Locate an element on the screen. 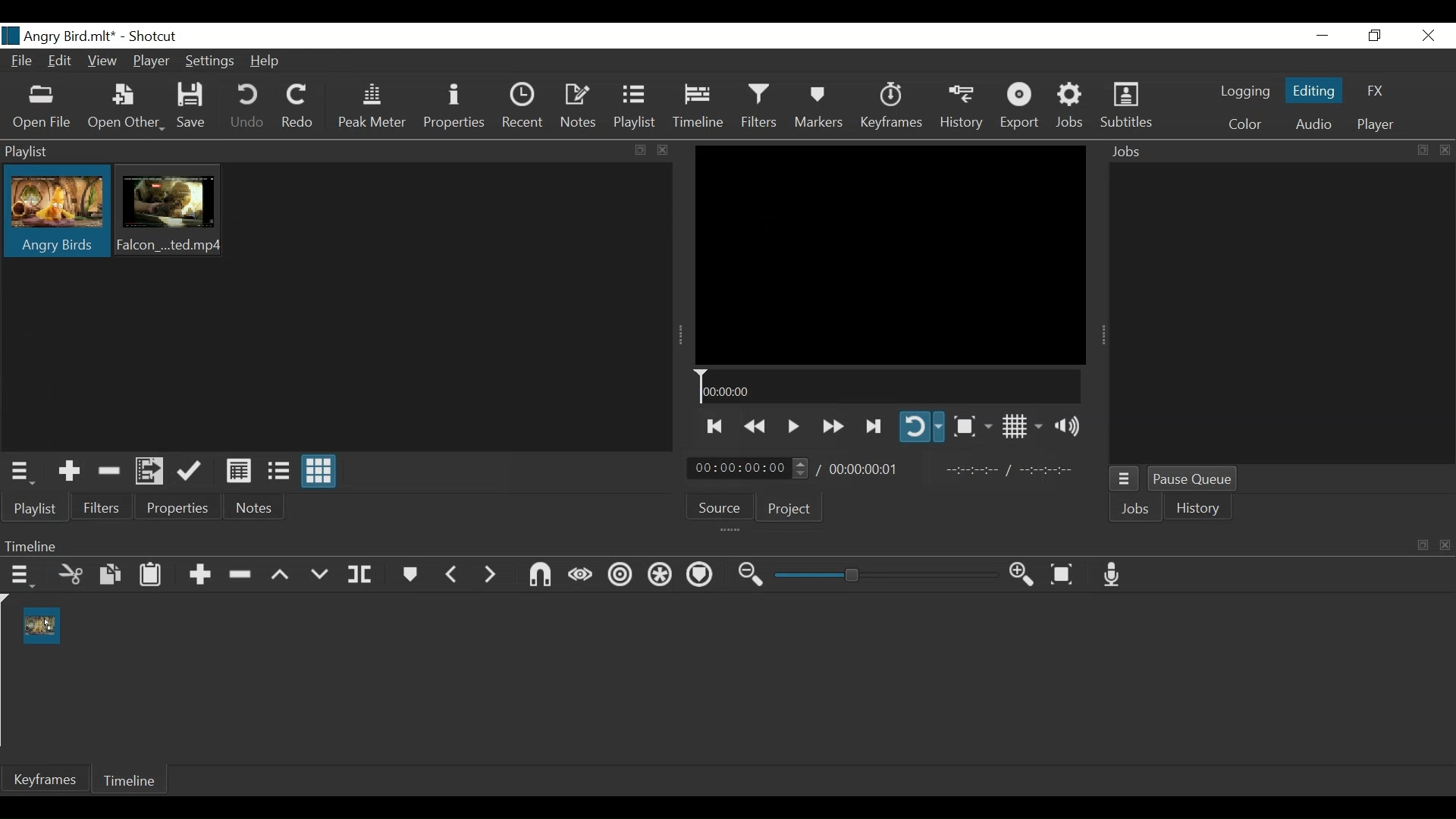 This screenshot has width=1456, height=819.  is located at coordinates (729, 544).